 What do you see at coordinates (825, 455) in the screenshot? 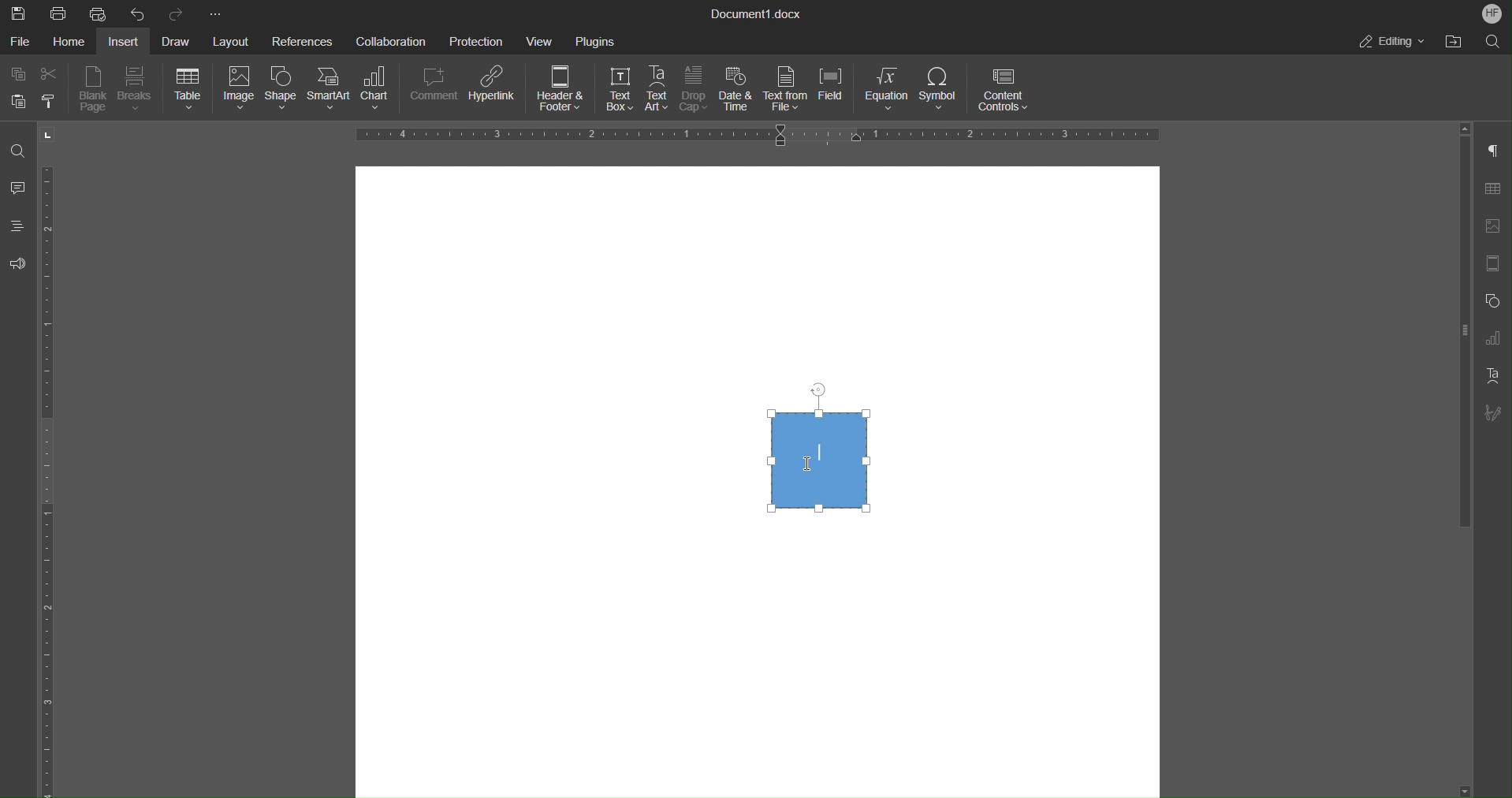
I see `Text Label` at bounding box center [825, 455].